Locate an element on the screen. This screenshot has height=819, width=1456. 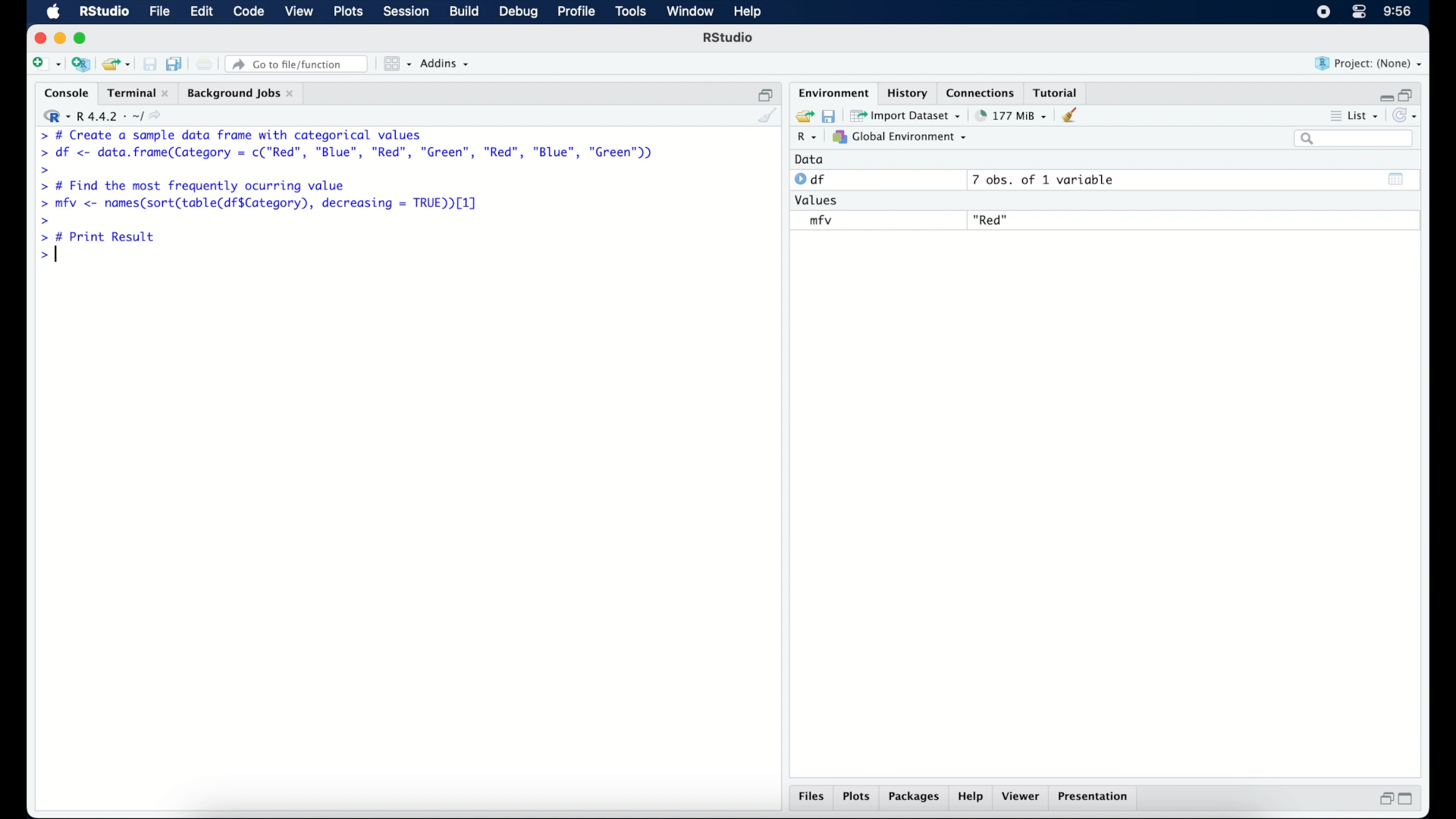
files is located at coordinates (810, 798).